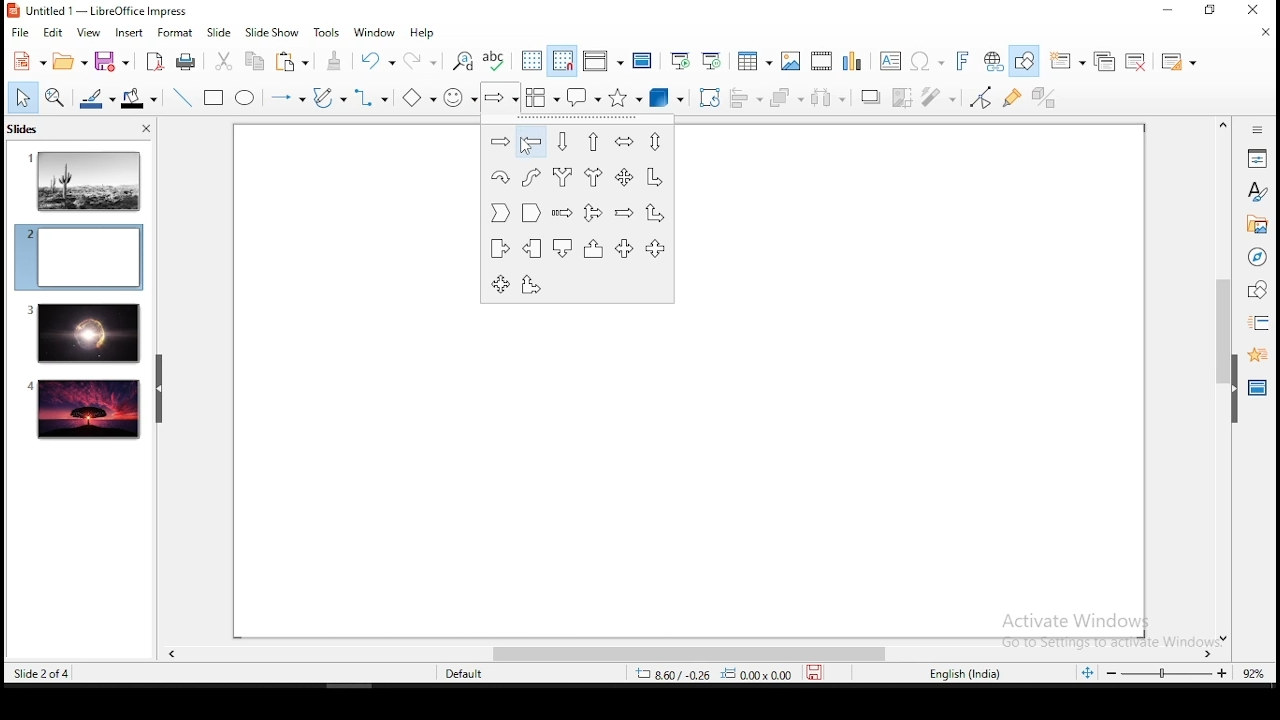 The width and height of the screenshot is (1280, 720). Describe the element at coordinates (328, 33) in the screenshot. I see `tools` at that location.